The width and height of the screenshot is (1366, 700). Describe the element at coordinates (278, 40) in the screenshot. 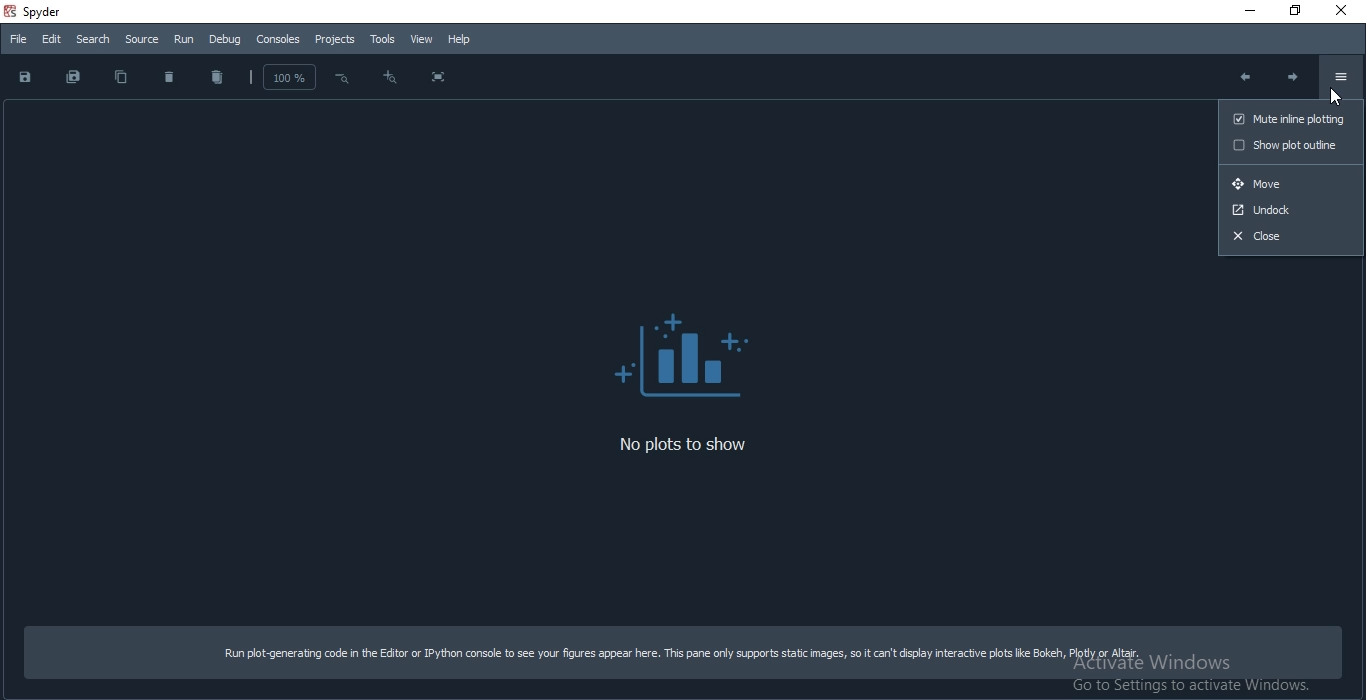

I see `Consoles` at that location.